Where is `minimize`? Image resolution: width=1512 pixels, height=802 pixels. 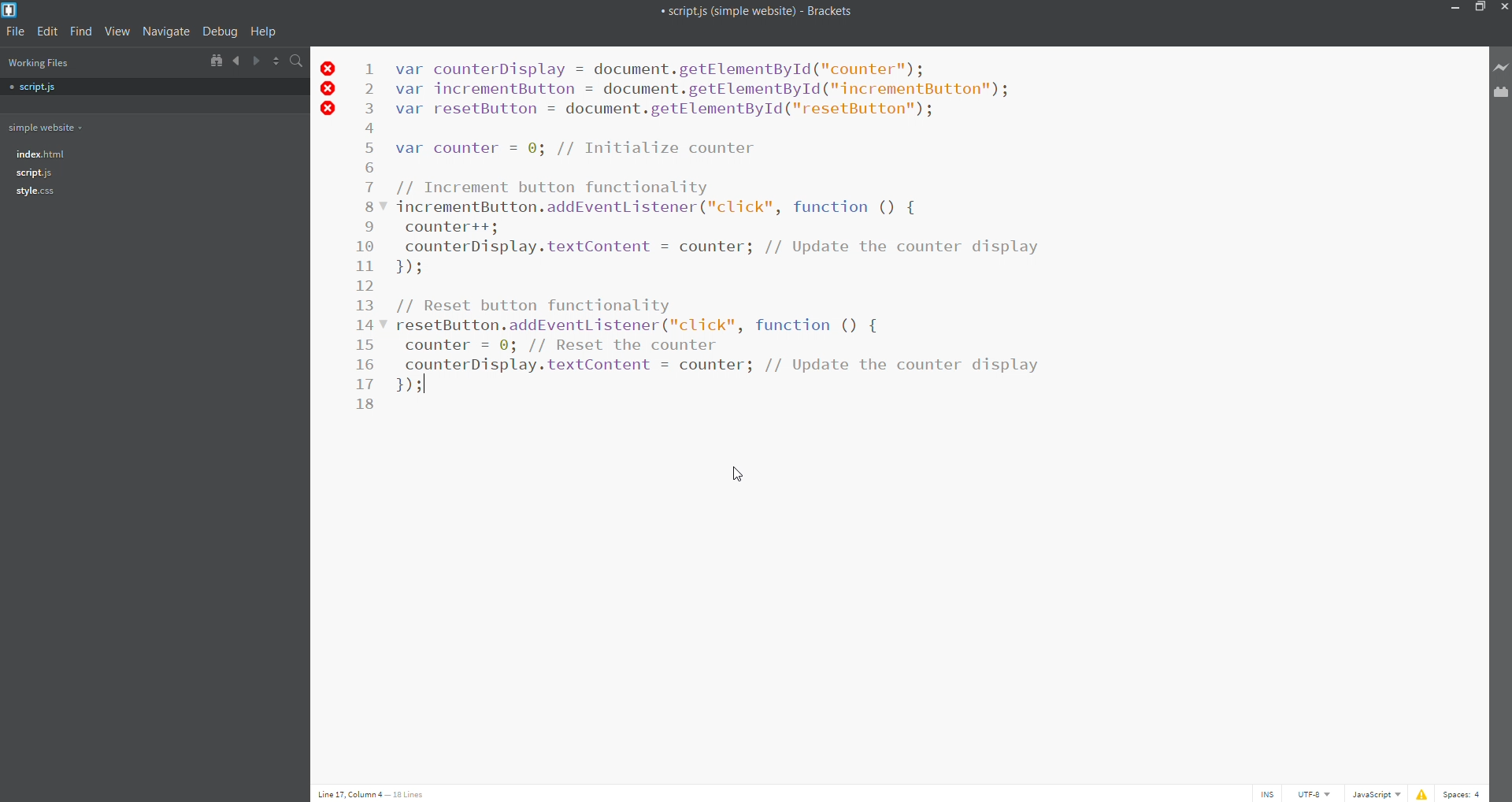 minimize is located at coordinates (1456, 9).